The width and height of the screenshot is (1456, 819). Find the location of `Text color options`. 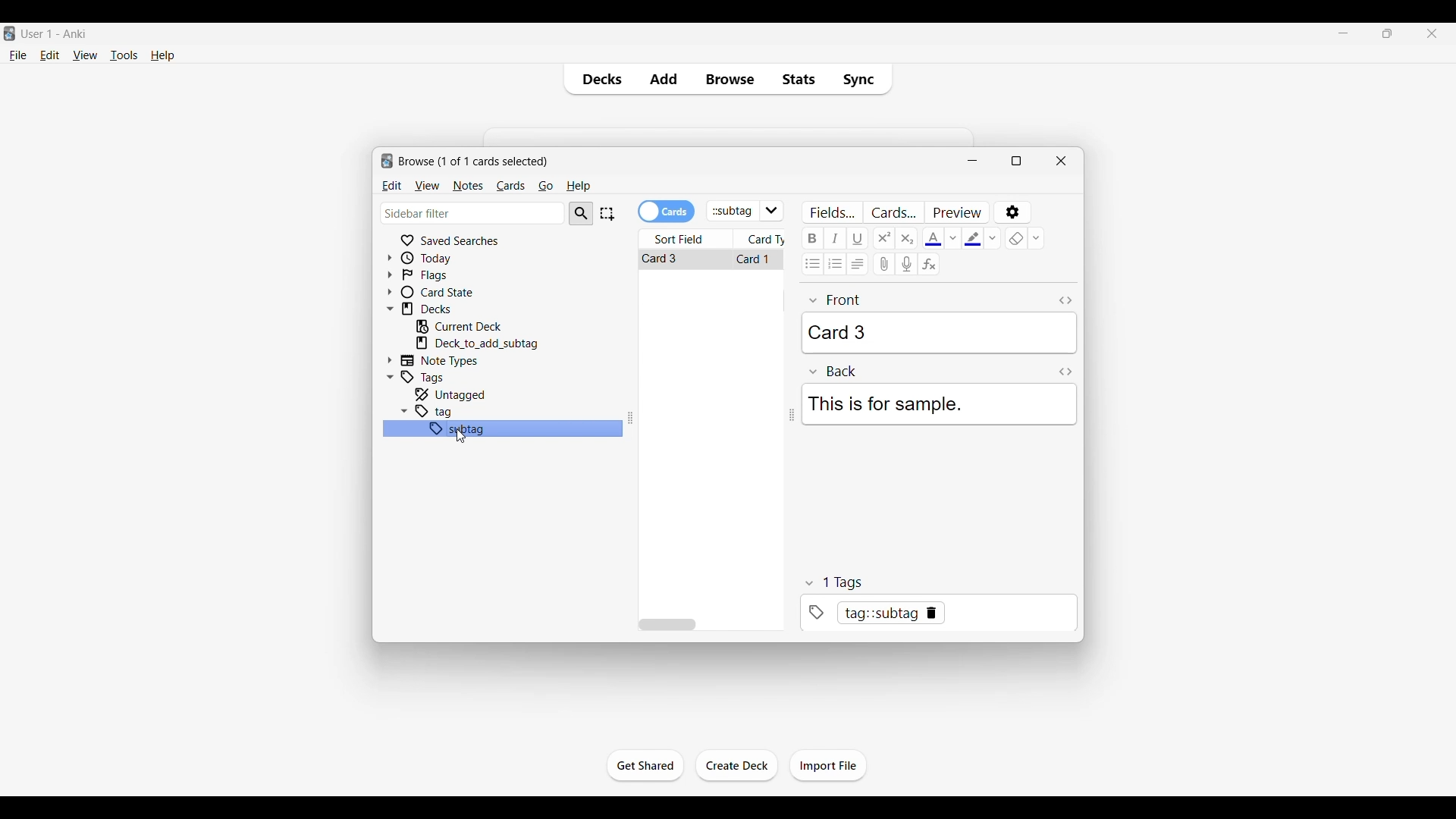

Text color options is located at coordinates (952, 238).